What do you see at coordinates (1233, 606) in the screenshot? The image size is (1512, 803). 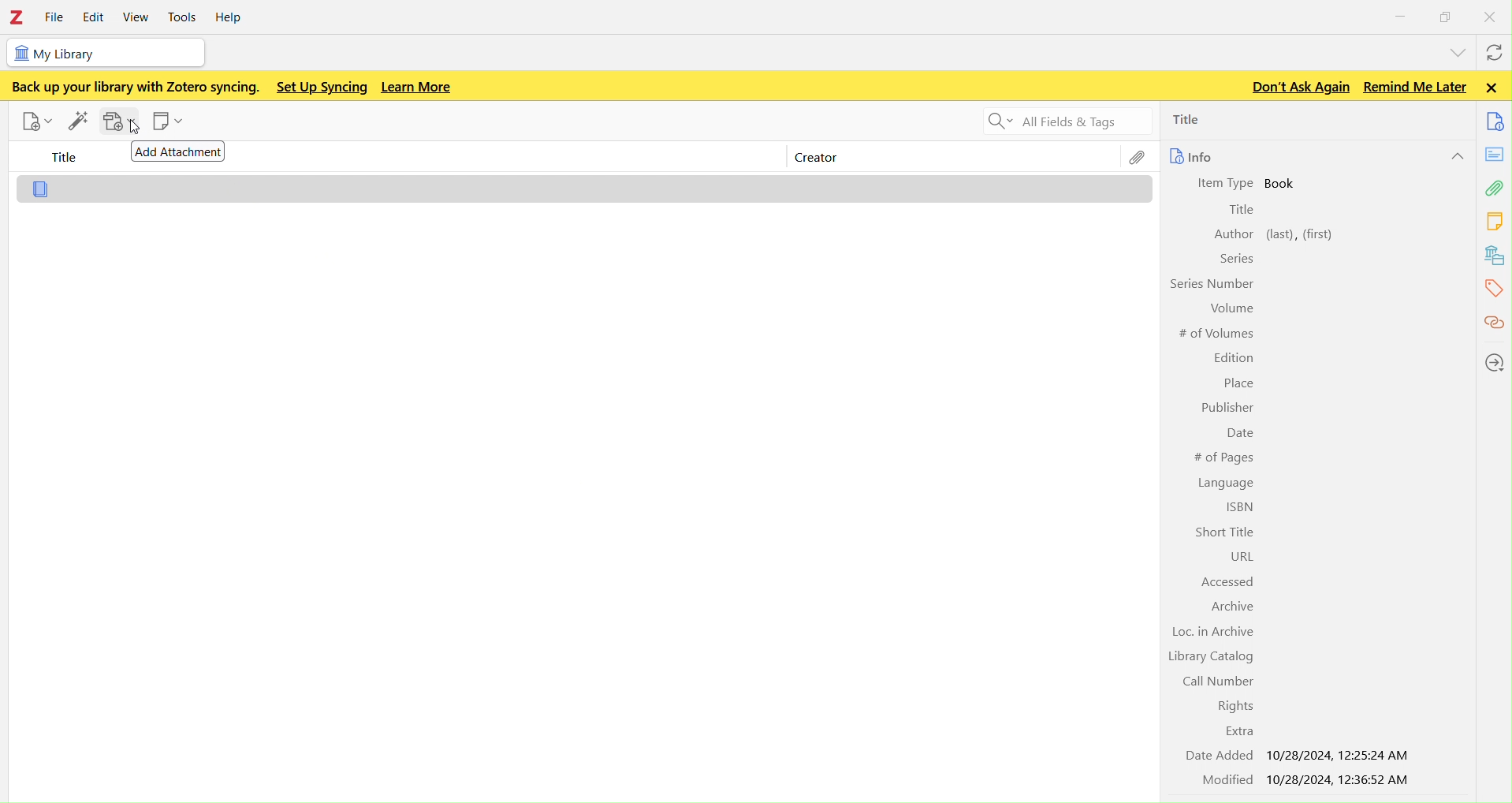 I see `Archive` at bounding box center [1233, 606].